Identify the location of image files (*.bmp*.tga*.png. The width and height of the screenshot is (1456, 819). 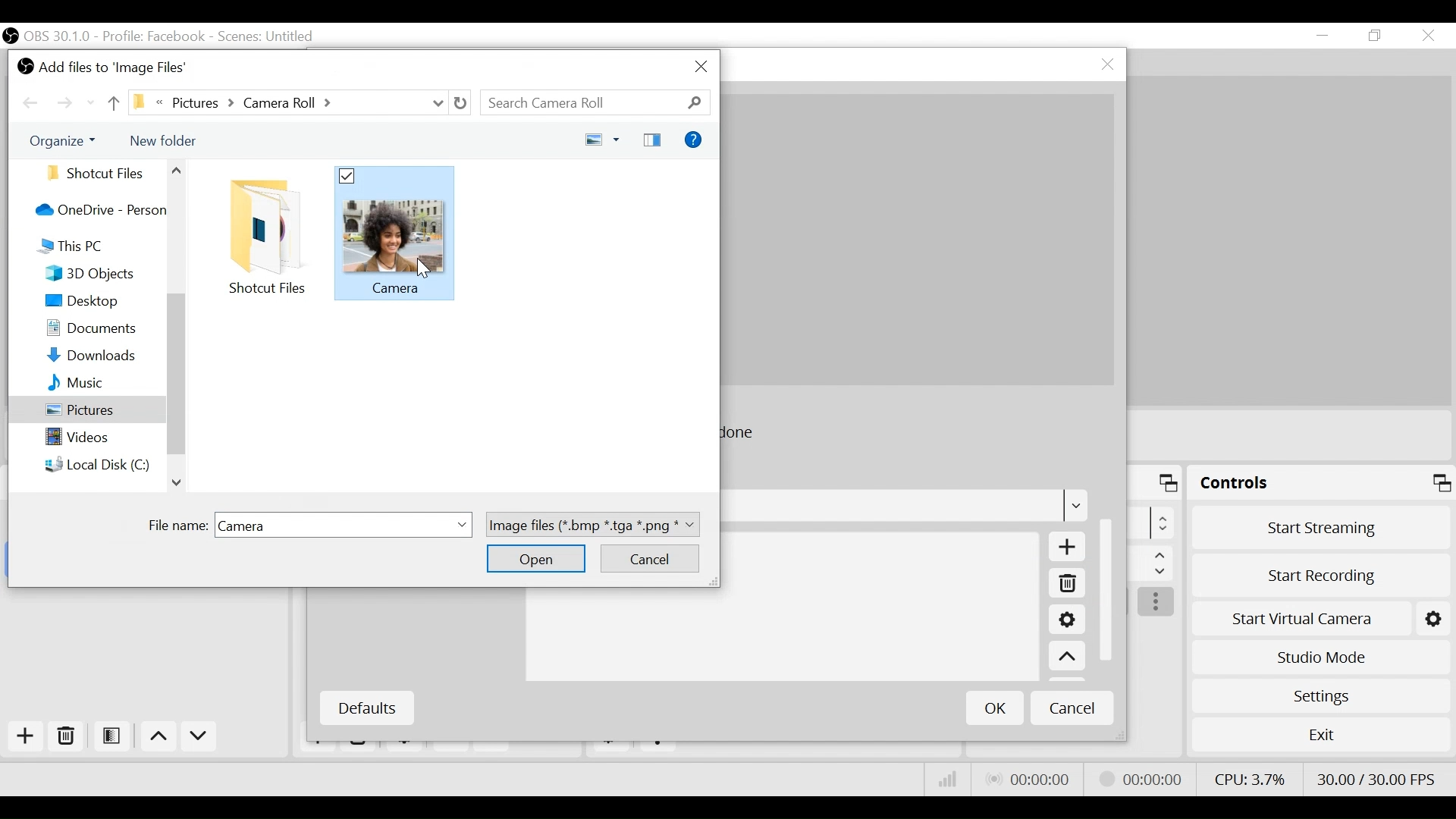
(598, 522).